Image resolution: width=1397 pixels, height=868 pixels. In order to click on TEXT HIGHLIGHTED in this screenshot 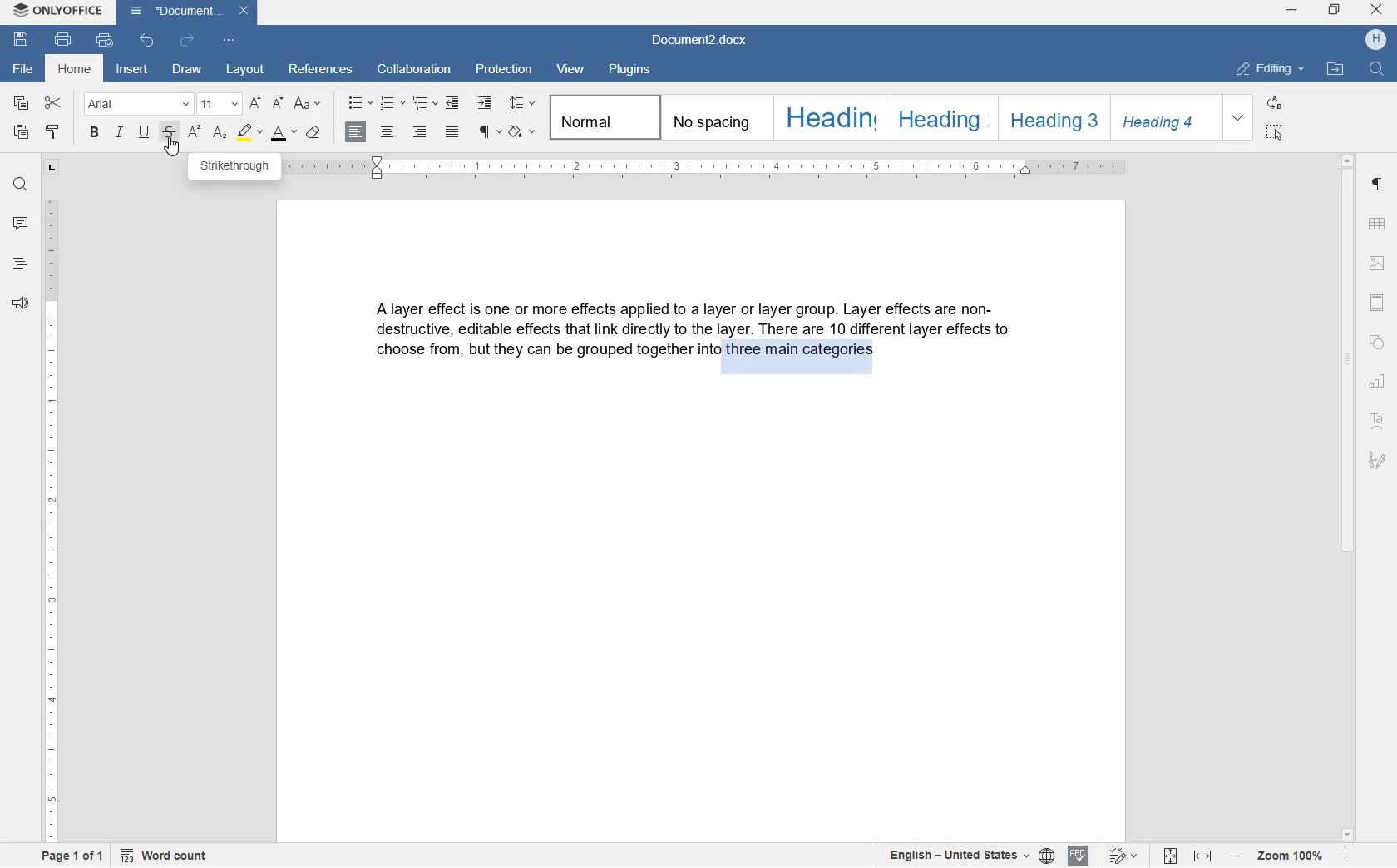, I will do `click(799, 357)`.